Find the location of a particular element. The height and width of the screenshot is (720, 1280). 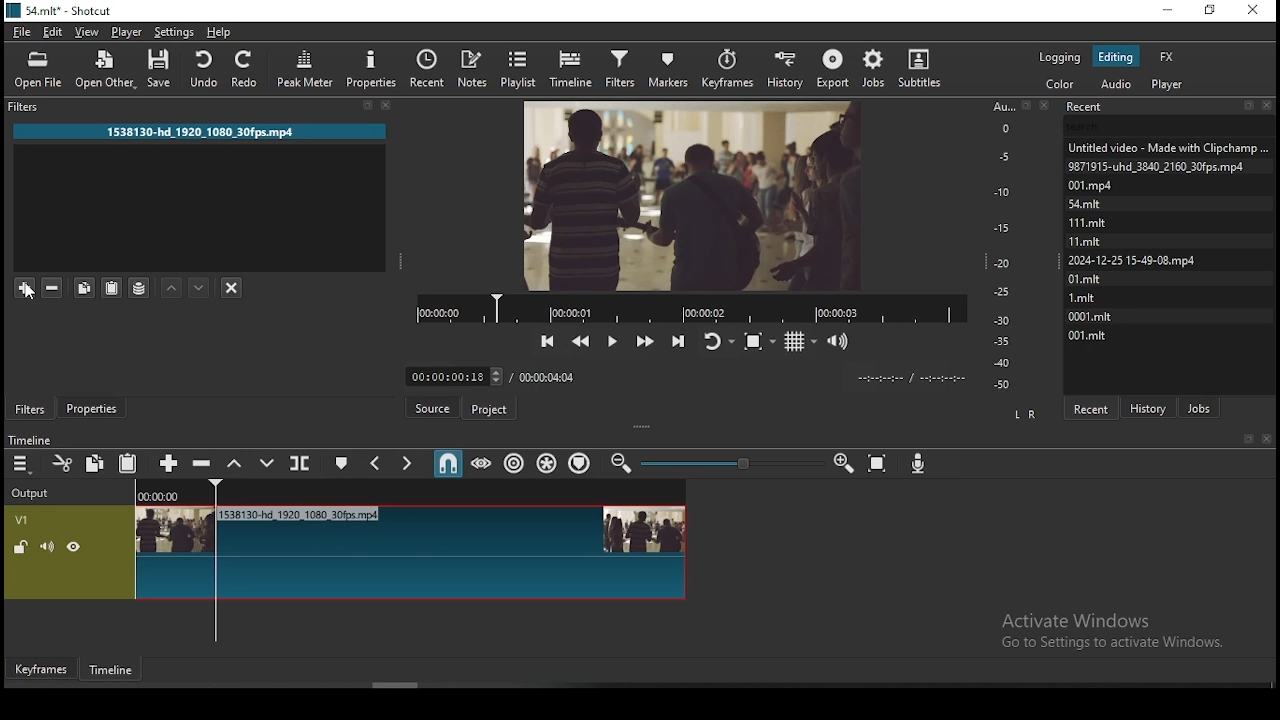

append is located at coordinates (168, 464).